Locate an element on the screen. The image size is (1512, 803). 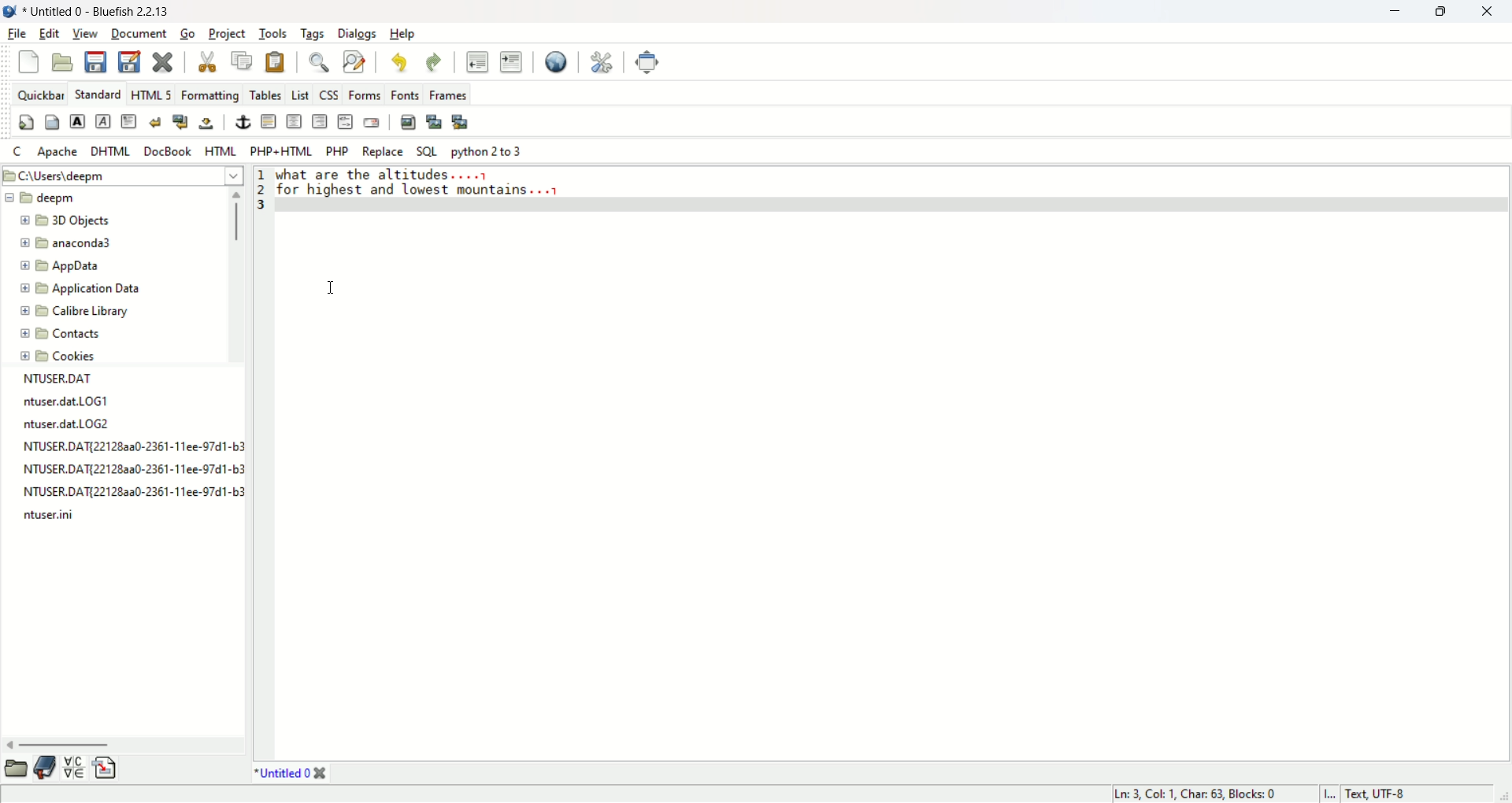
title is located at coordinates (100, 10).